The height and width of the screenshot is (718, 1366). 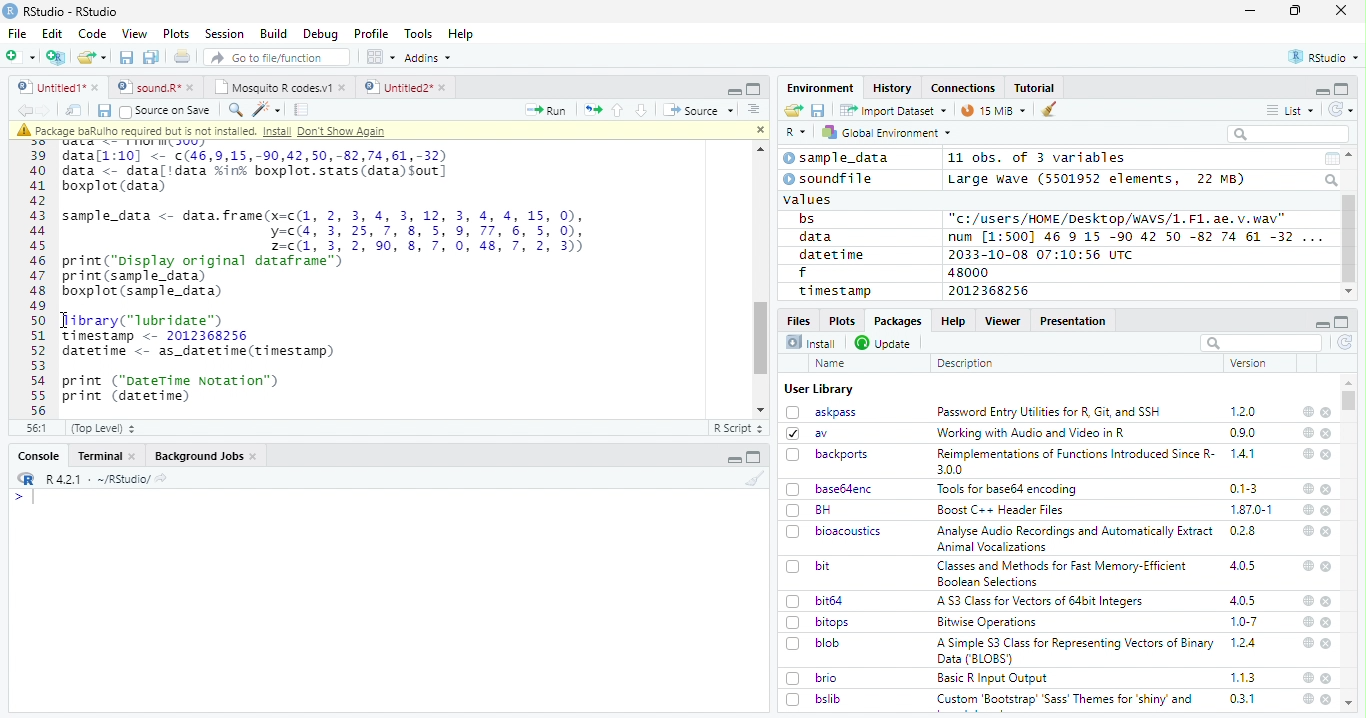 What do you see at coordinates (38, 428) in the screenshot?
I see `56:1` at bounding box center [38, 428].